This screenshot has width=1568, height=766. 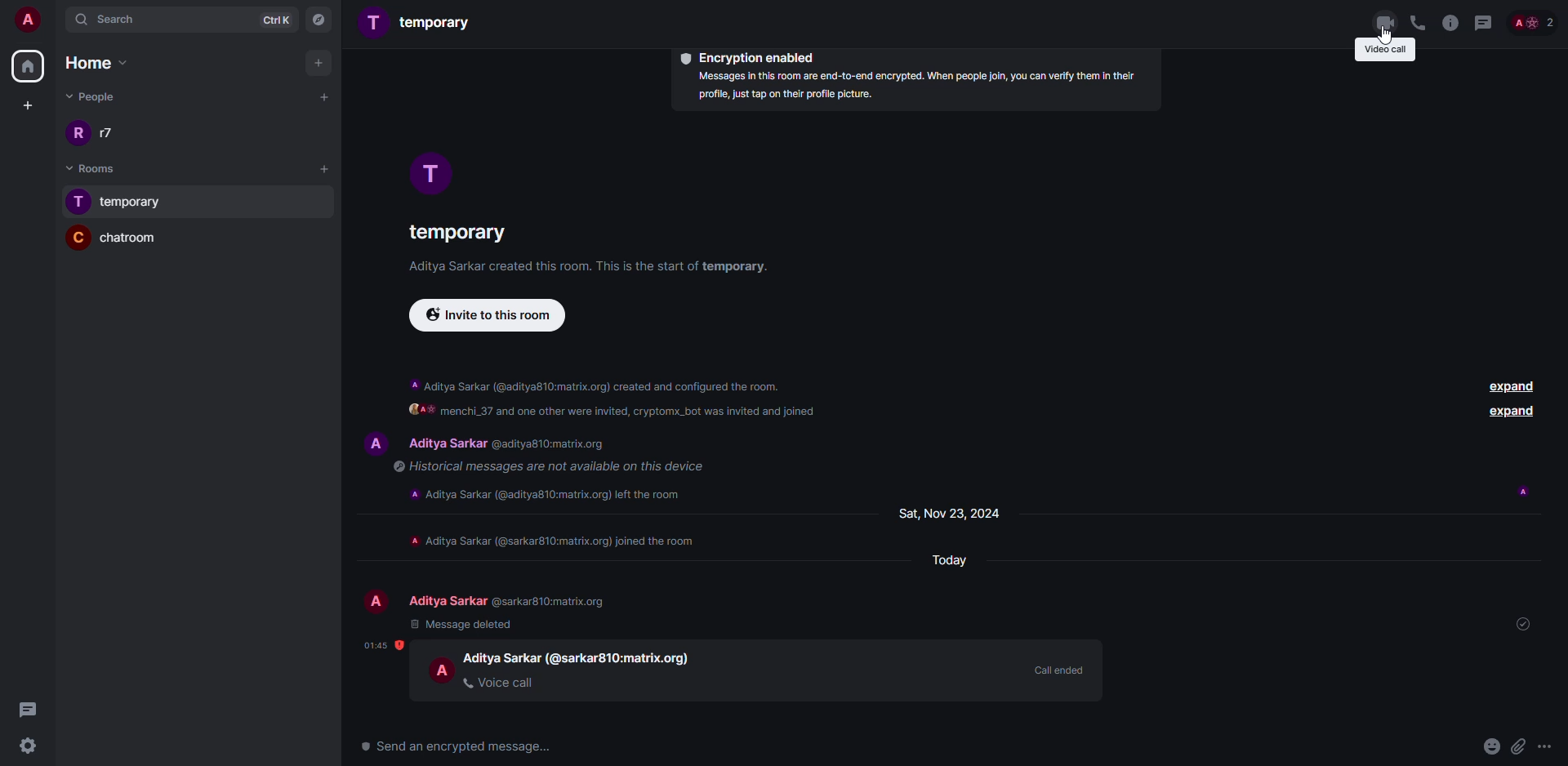 I want to click on expand, so click(x=1509, y=385).